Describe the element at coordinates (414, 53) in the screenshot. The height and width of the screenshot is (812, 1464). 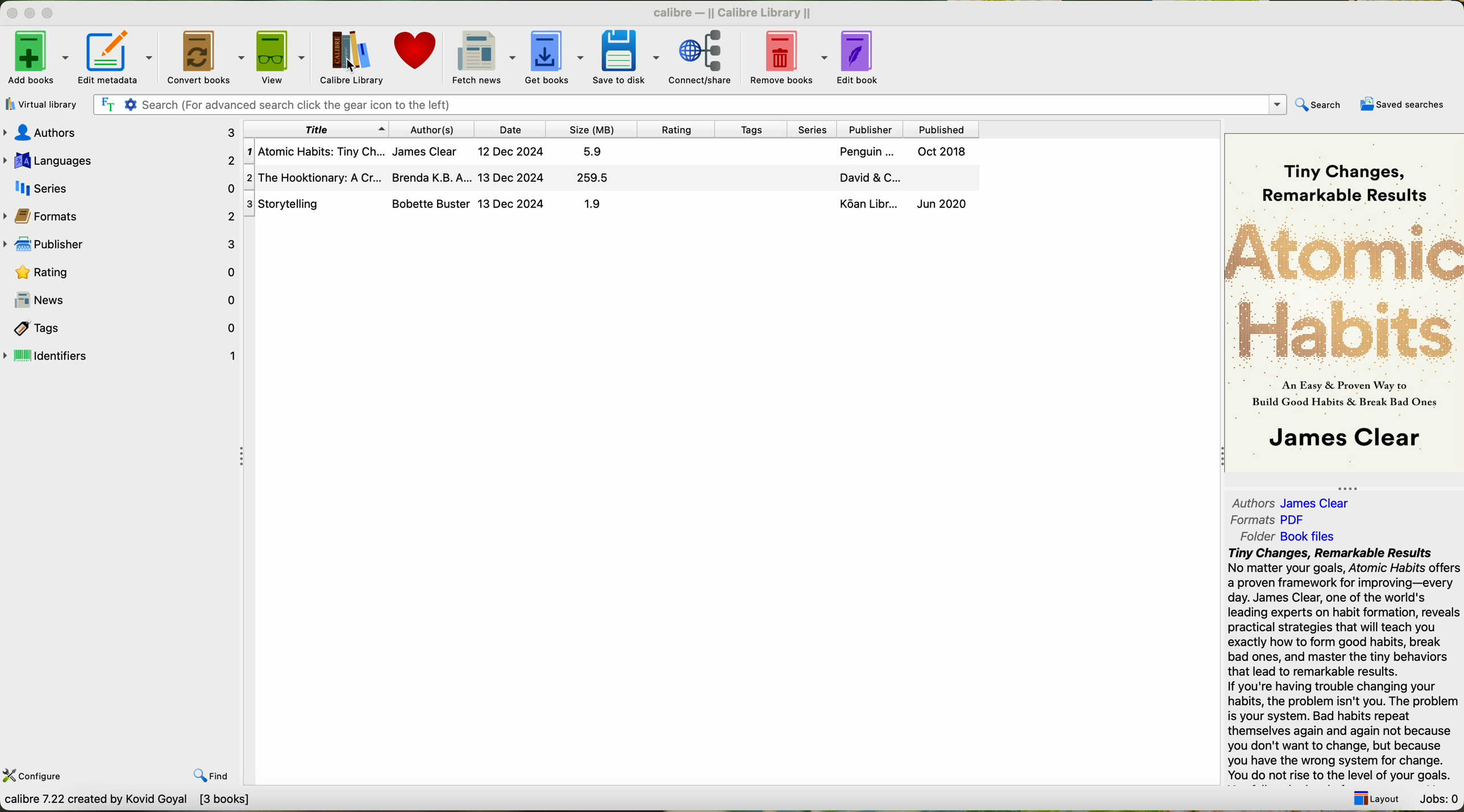
I see `donate` at that location.